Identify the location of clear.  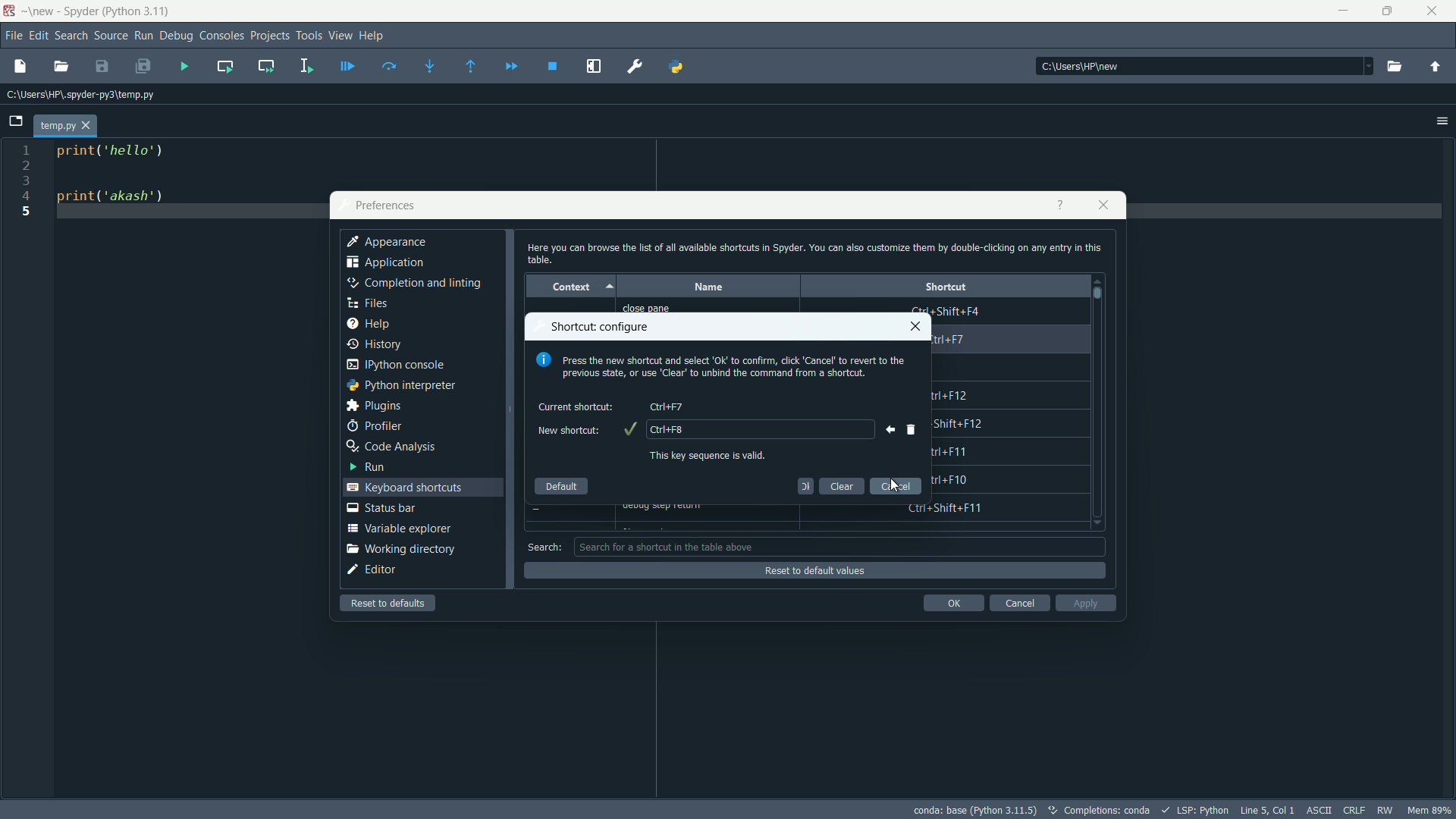
(843, 485).